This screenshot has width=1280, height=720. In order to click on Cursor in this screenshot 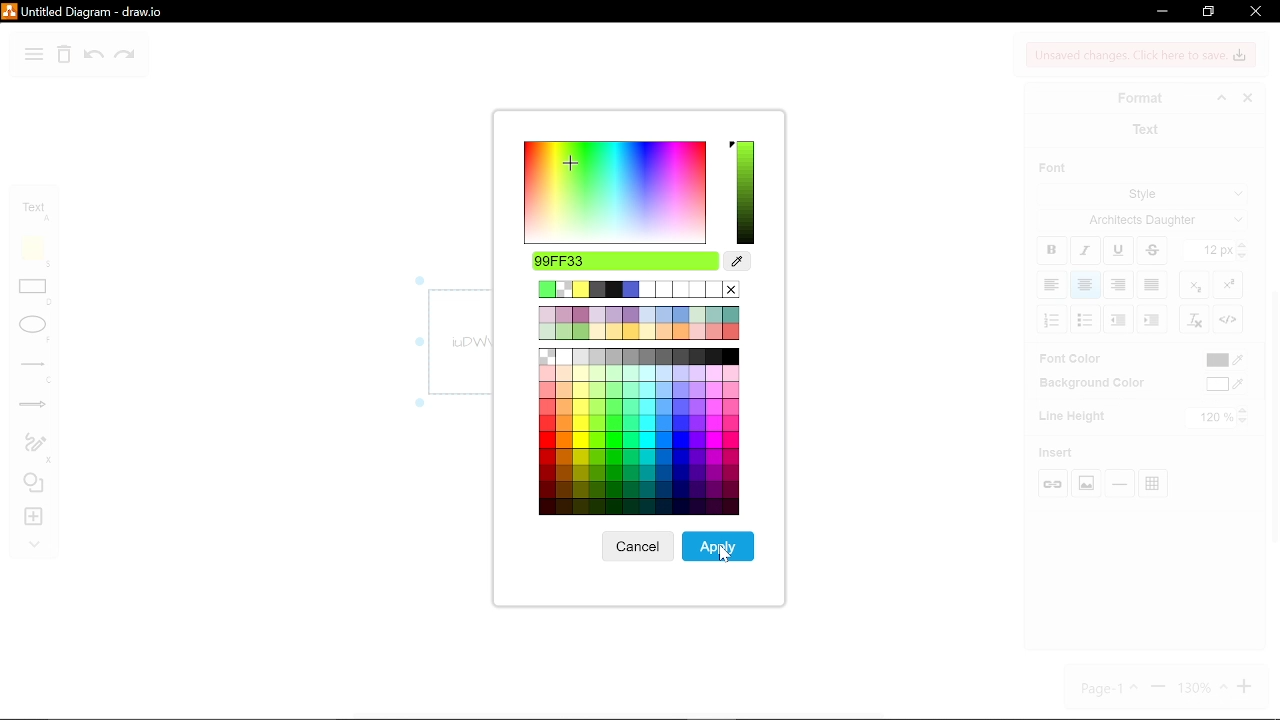, I will do `click(725, 558)`.